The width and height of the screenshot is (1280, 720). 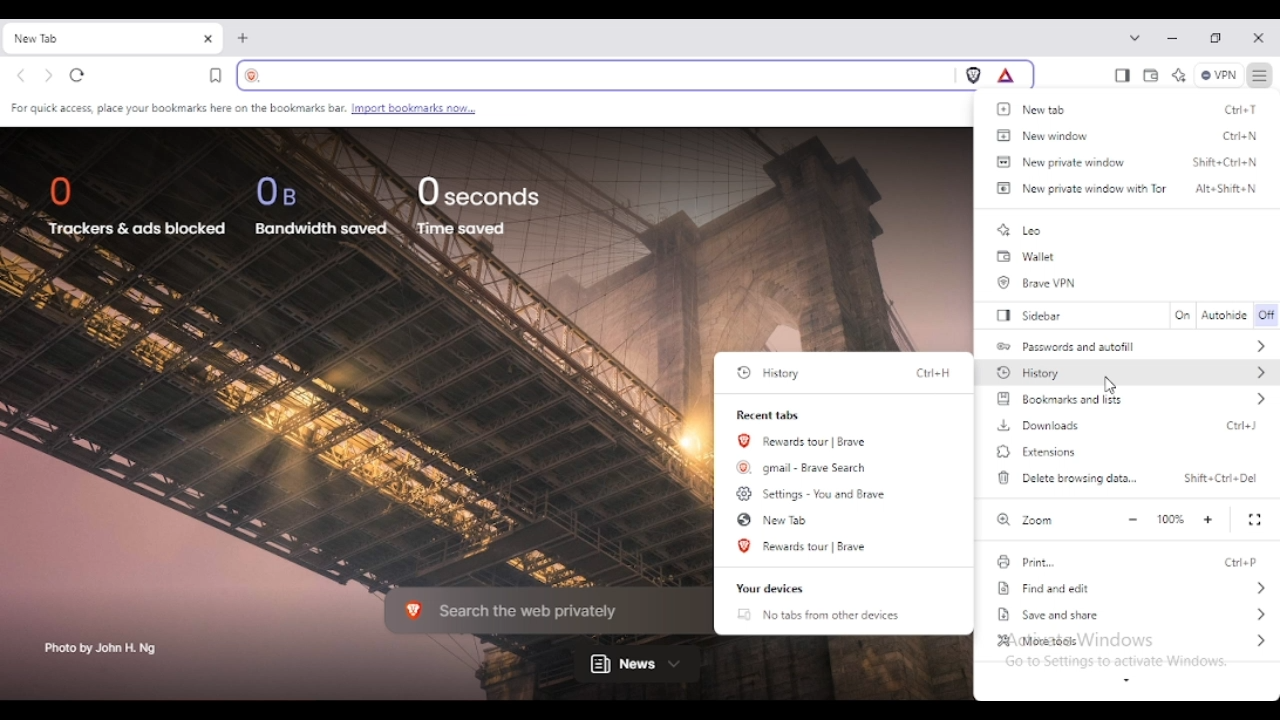 What do you see at coordinates (536, 609) in the screenshot?
I see `search the web privately` at bounding box center [536, 609].